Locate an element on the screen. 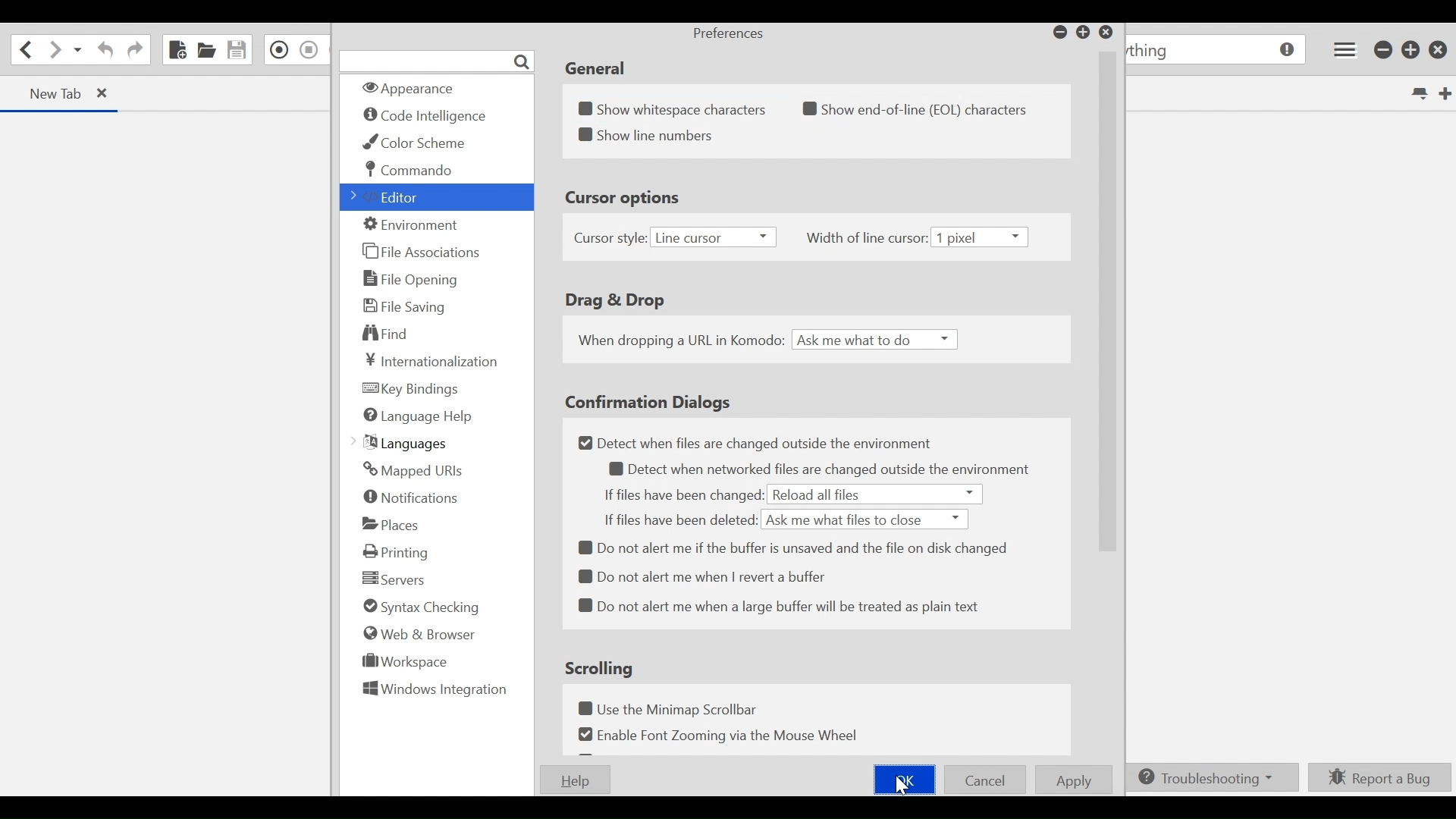 The height and width of the screenshot is (819, 1456). Recent location is located at coordinates (77, 50).